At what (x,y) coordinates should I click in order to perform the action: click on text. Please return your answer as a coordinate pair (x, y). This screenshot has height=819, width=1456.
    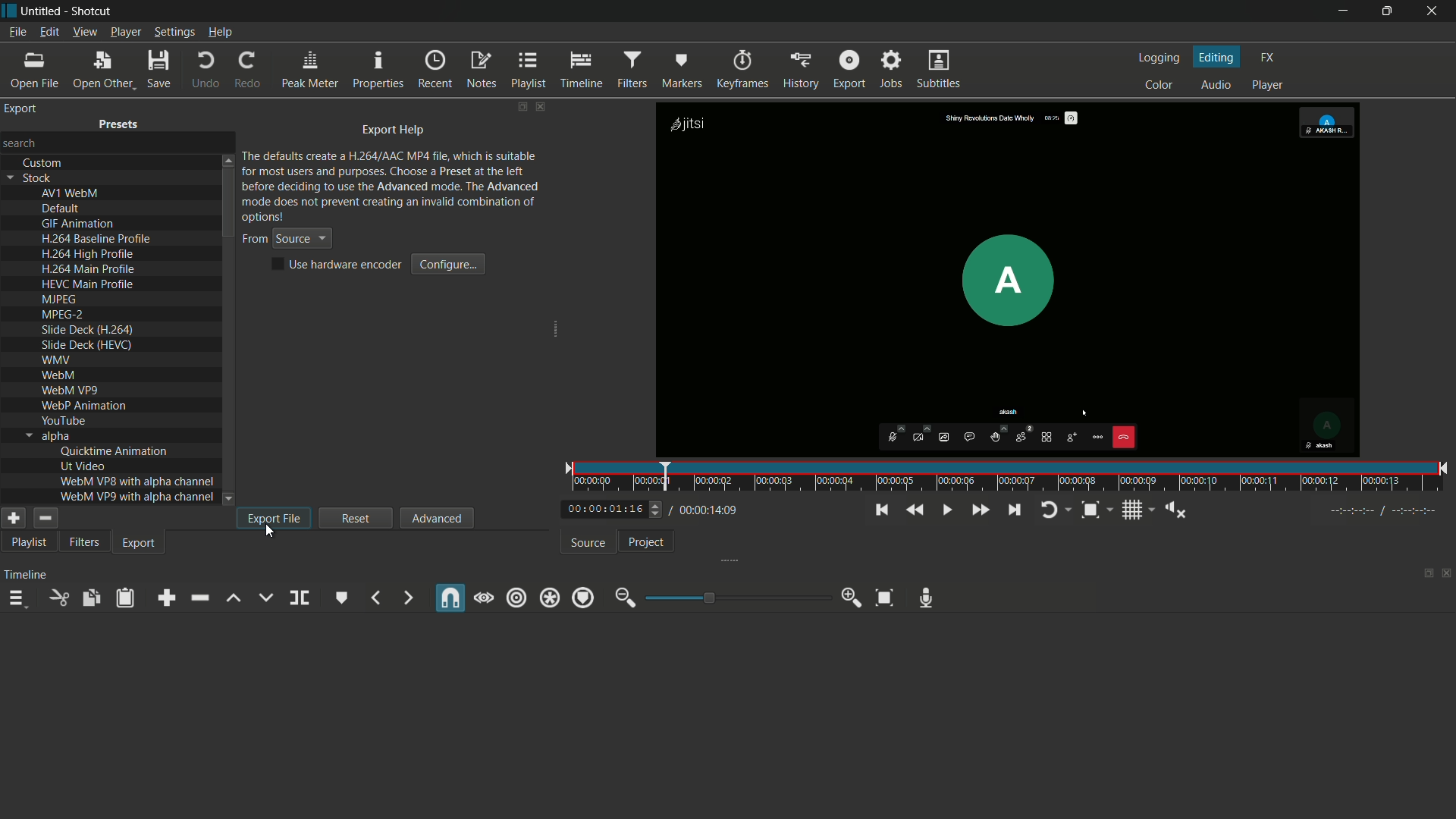
    Looking at the image, I should click on (88, 405).